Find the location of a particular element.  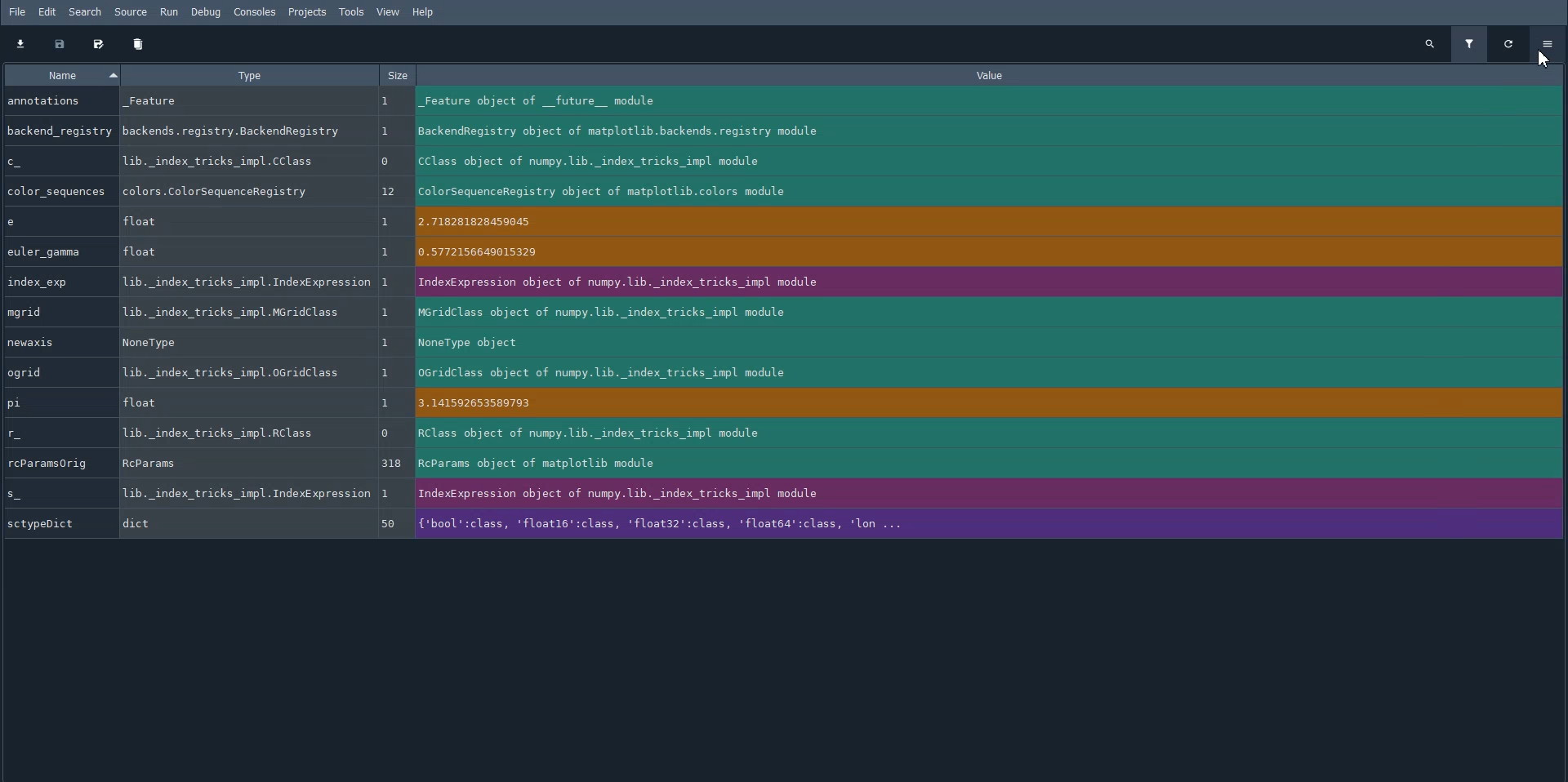

Refresh variables is located at coordinates (1509, 43).